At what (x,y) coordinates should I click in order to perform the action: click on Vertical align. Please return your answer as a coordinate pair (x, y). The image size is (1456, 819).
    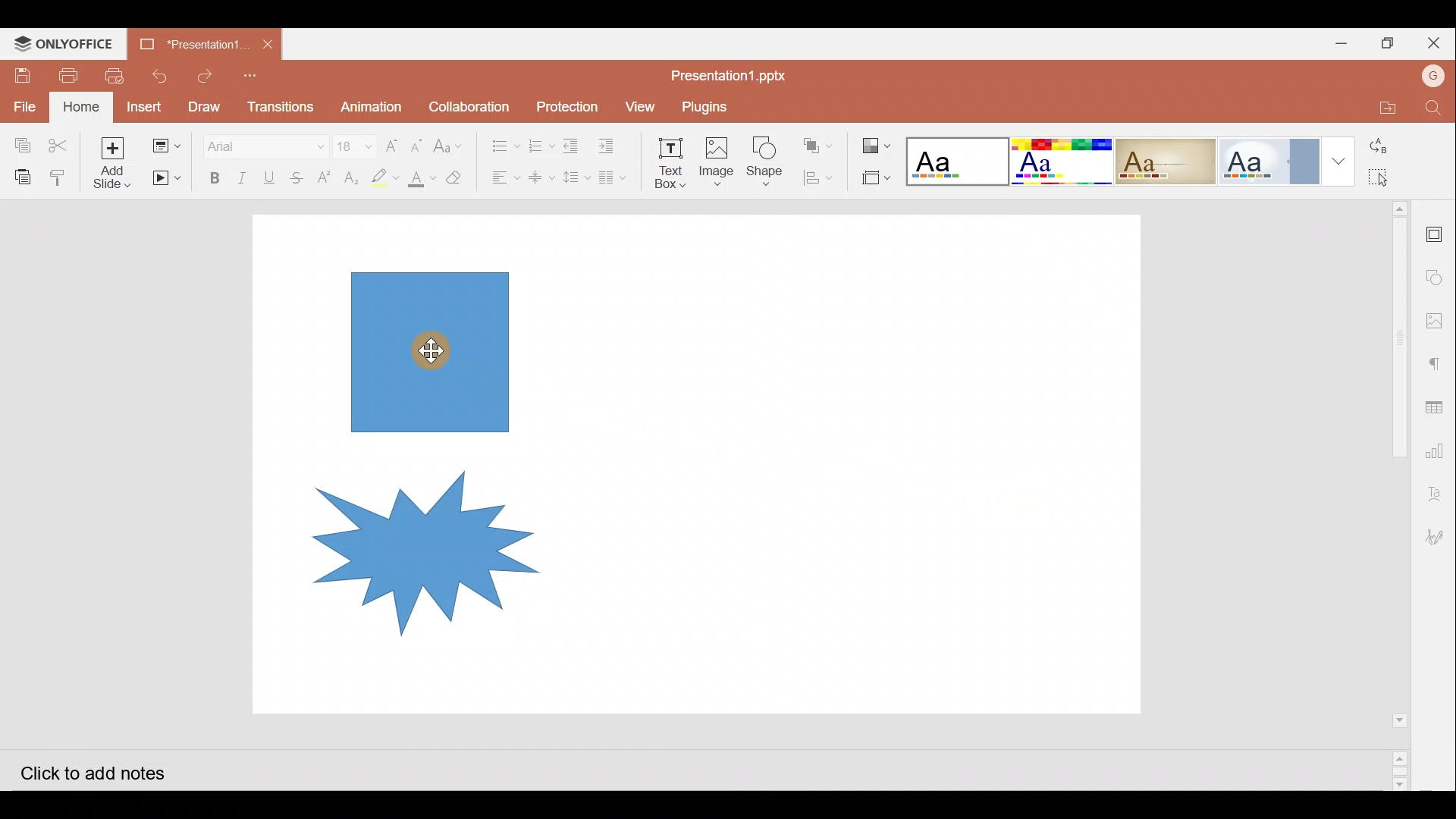
    Looking at the image, I should click on (540, 173).